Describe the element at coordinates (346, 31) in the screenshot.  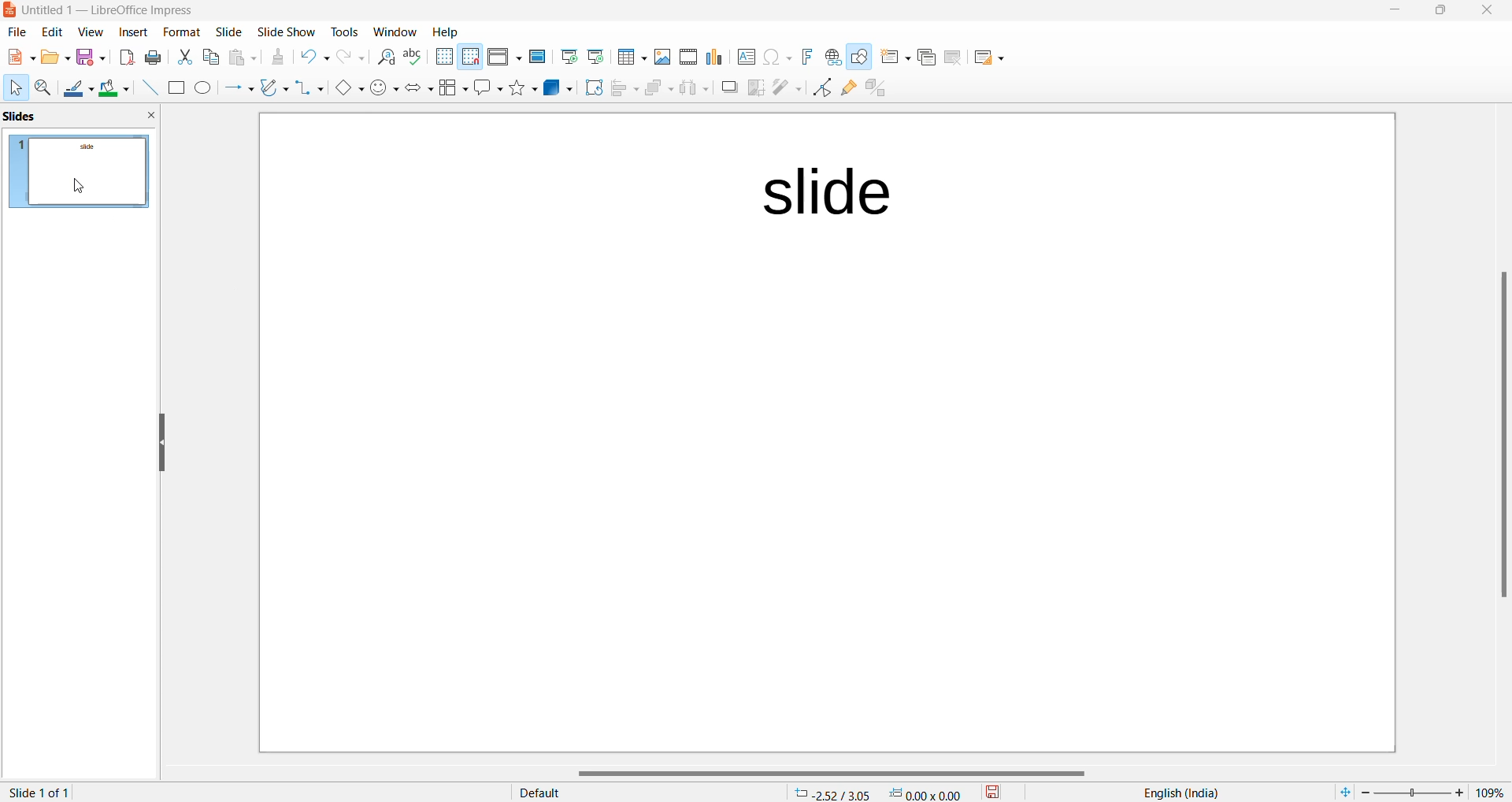
I see `tools` at that location.